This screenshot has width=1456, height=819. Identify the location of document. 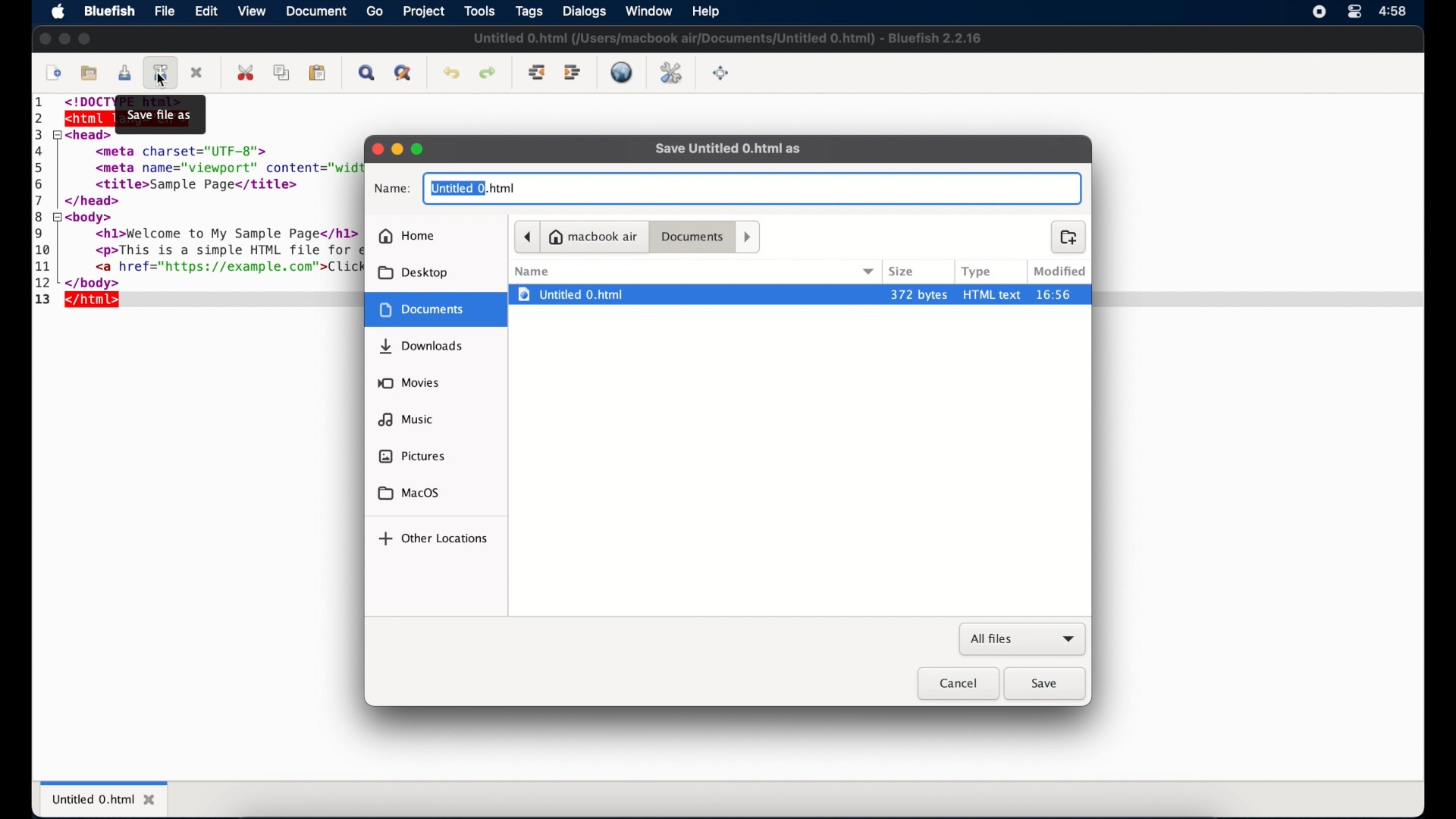
(318, 12).